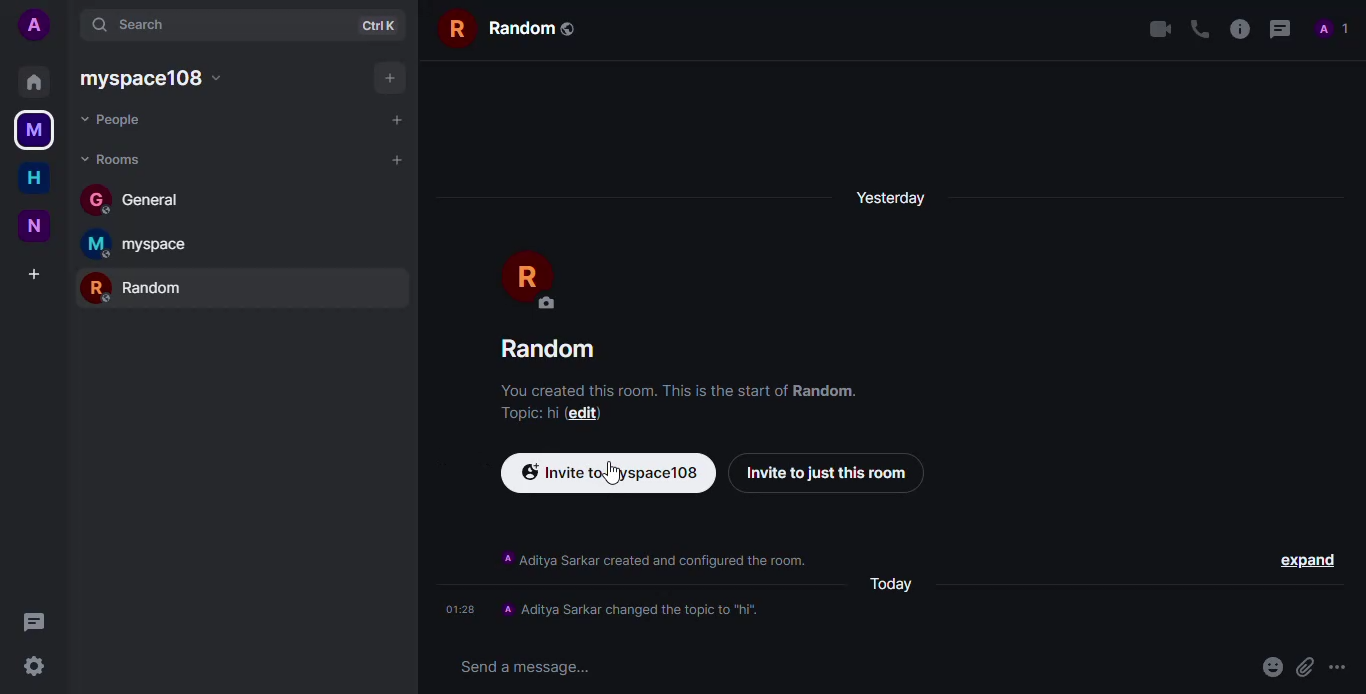 This screenshot has width=1366, height=694. What do you see at coordinates (1198, 30) in the screenshot?
I see `voice call` at bounding box center [1198, 30].